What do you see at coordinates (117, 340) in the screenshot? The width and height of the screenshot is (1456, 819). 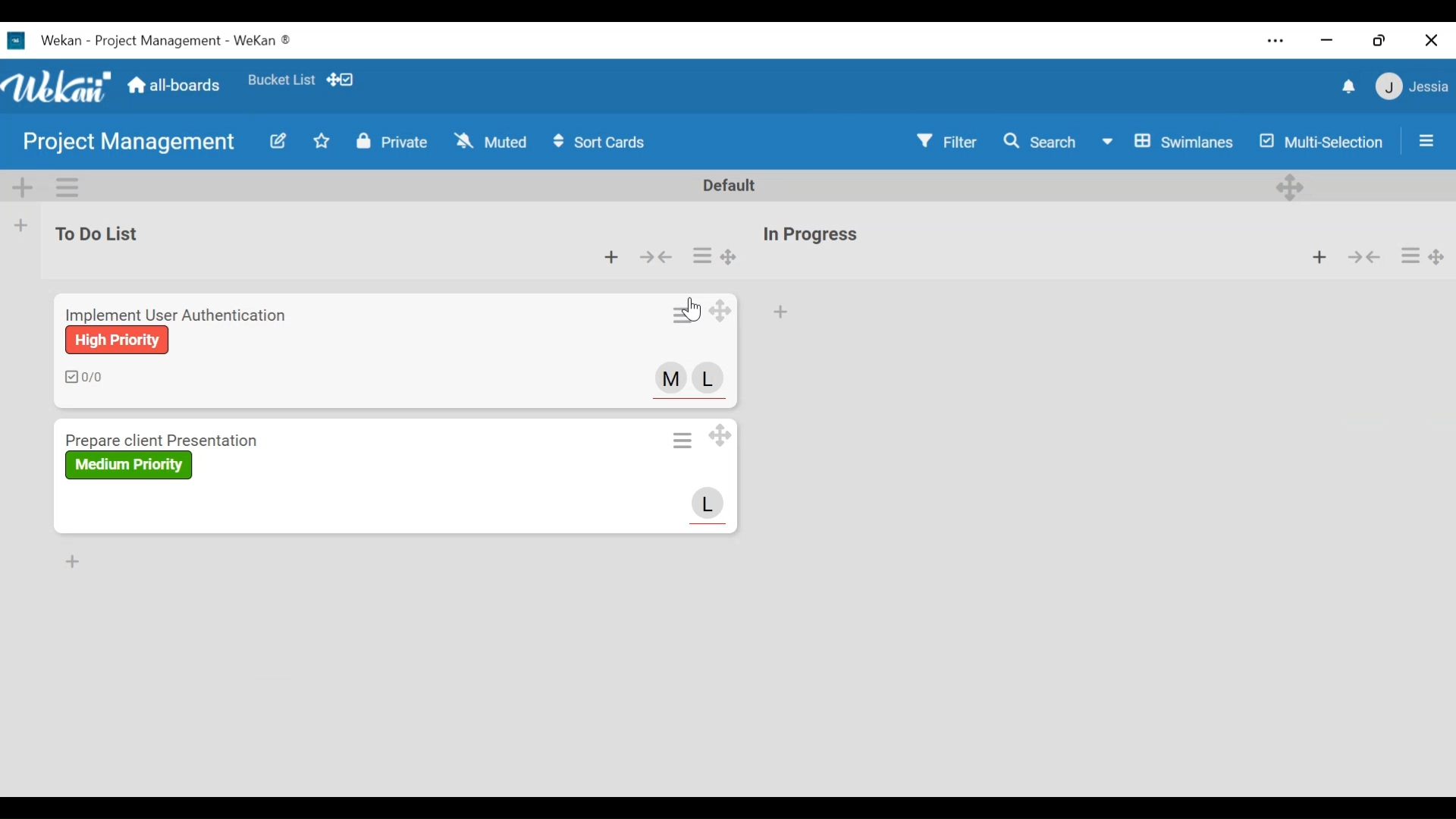 I see `label` at bounding box center [117, 340].